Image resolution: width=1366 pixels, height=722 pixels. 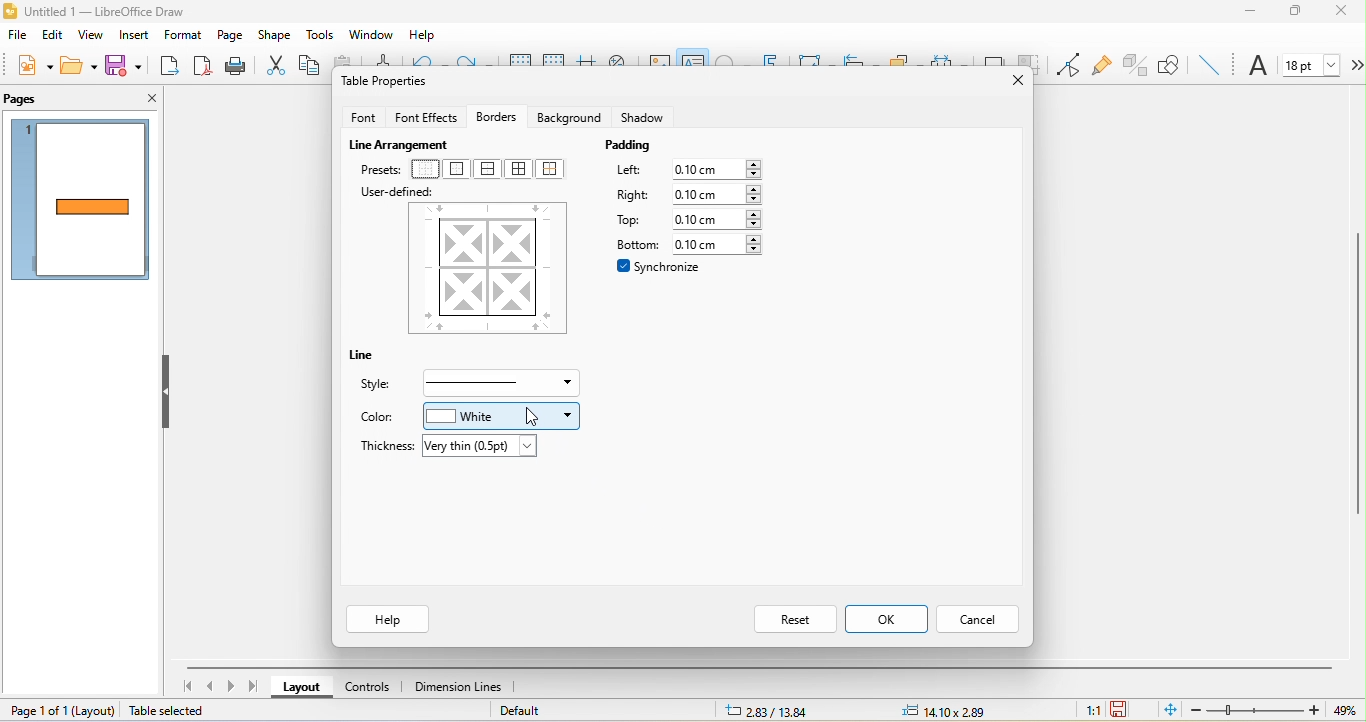 What do you see at coordinates (123, 65) in the screenshot?
I see `save` at bounding box center [123, 65].